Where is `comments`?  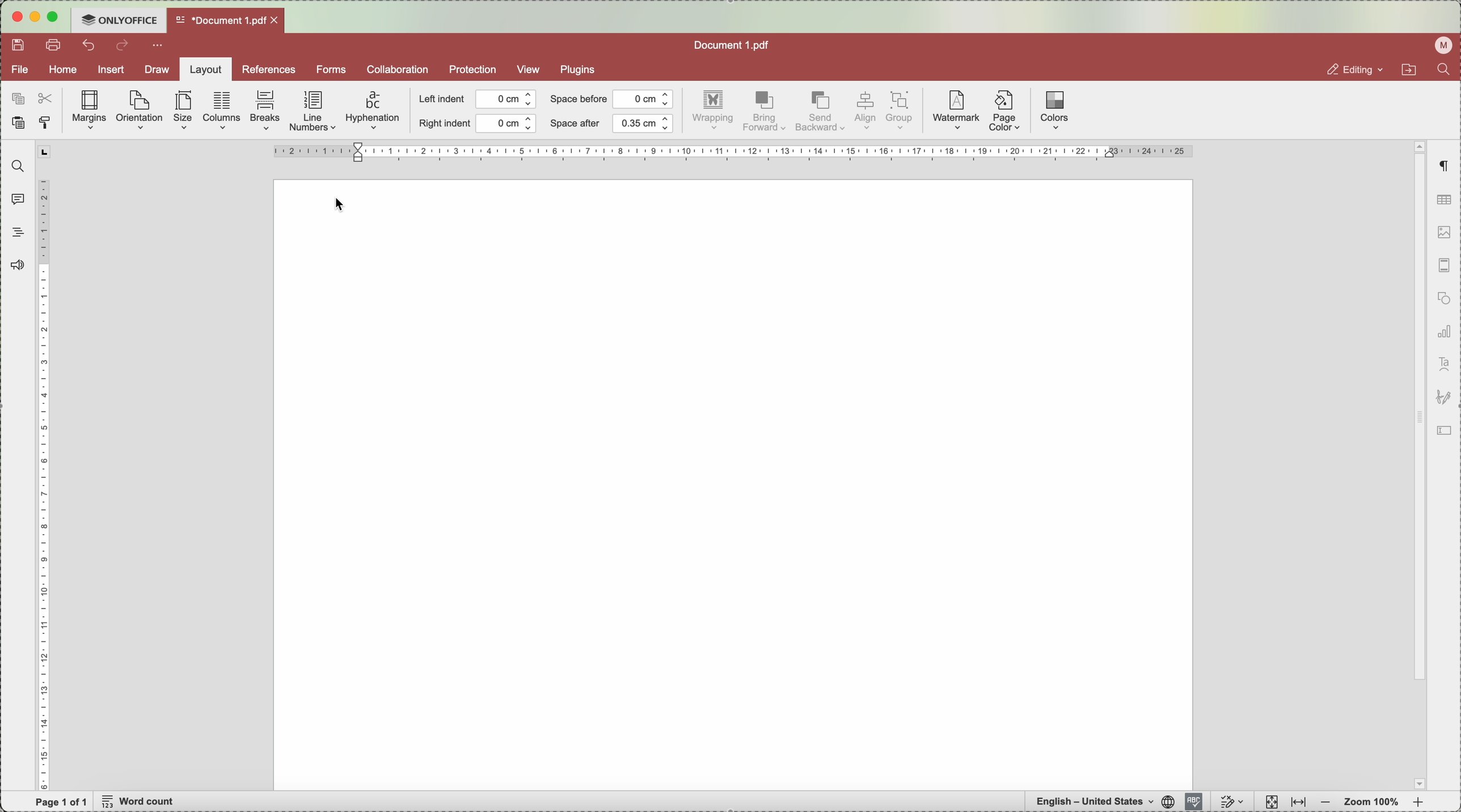
comments is located at coordinates (15, 198).